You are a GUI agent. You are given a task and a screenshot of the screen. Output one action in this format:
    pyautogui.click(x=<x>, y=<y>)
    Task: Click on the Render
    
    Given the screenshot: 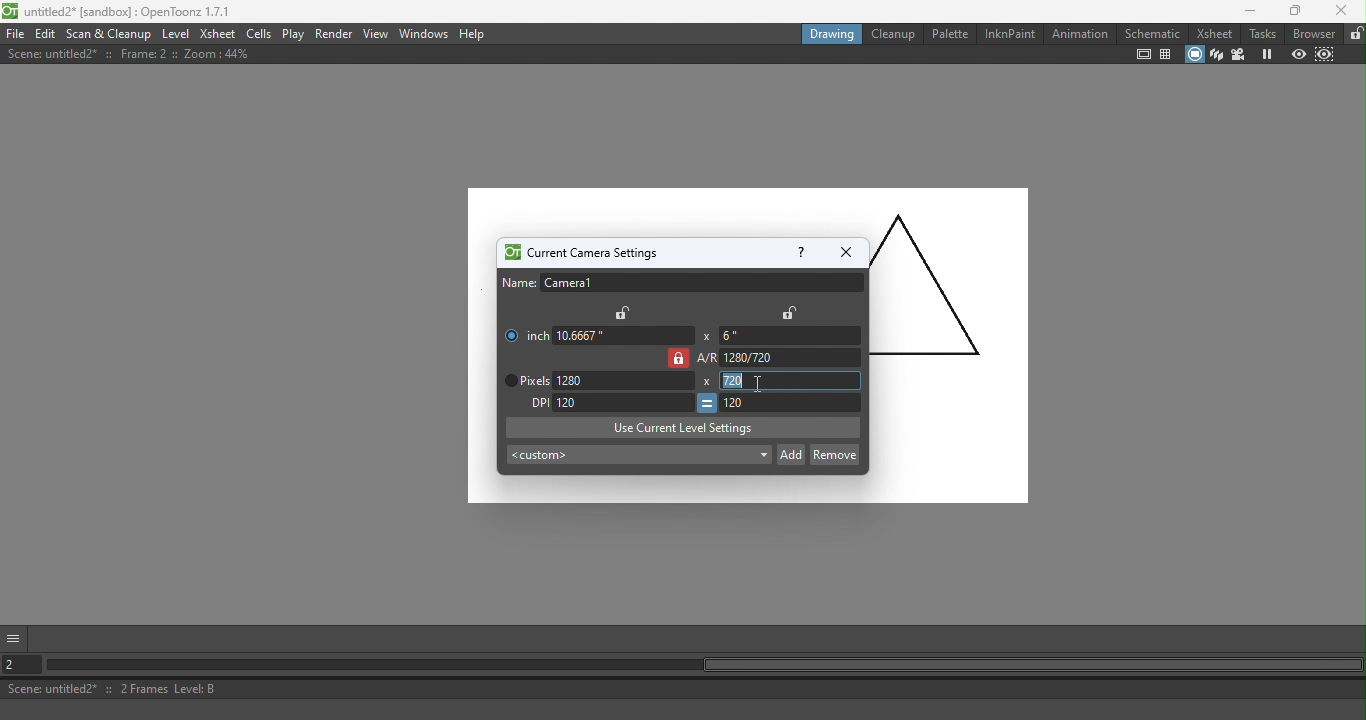 What is the action you would take?
    pyautogui.click(x=335, y=35)
    